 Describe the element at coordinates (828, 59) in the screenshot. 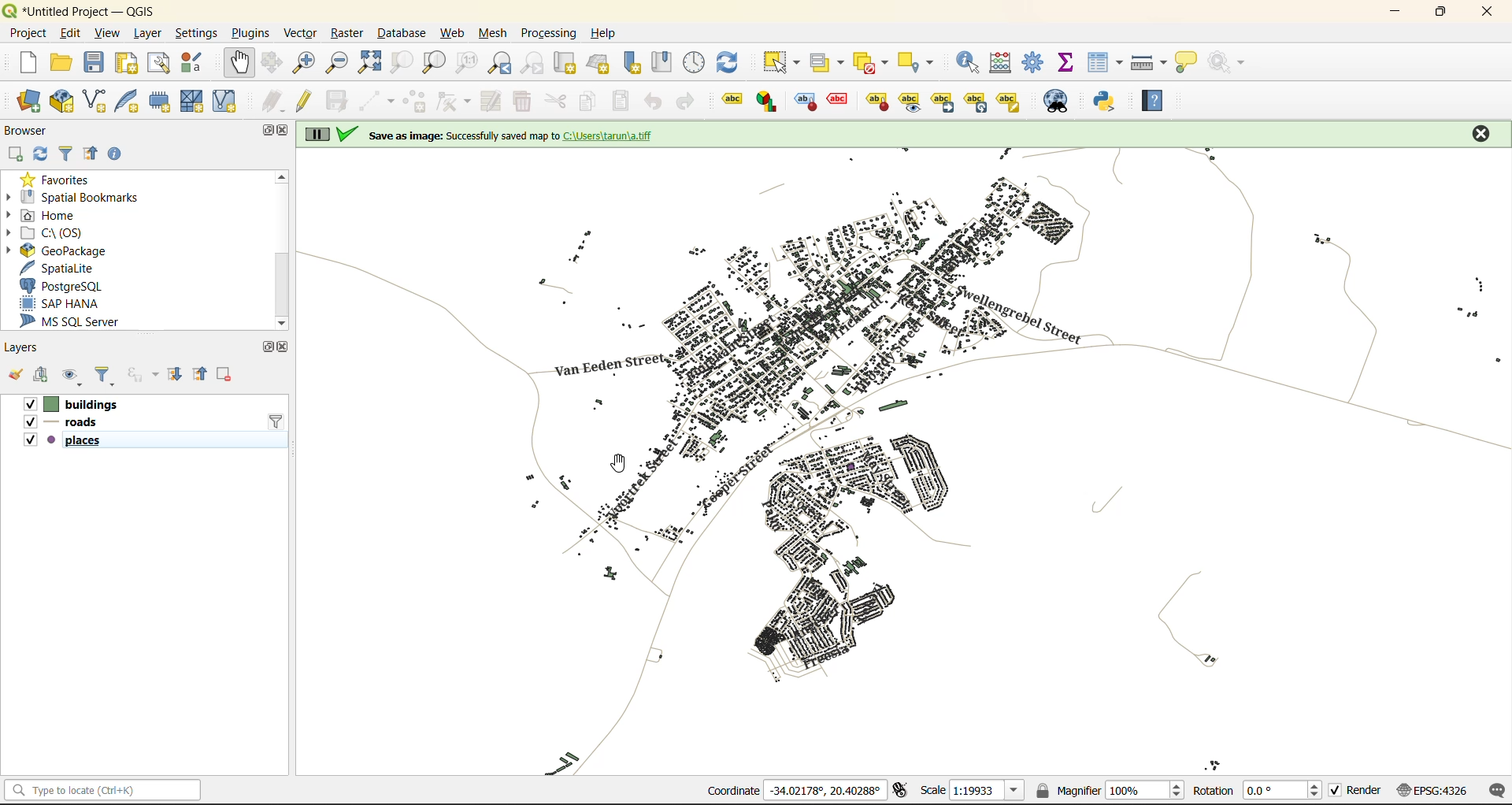

I see `select value` at that location.